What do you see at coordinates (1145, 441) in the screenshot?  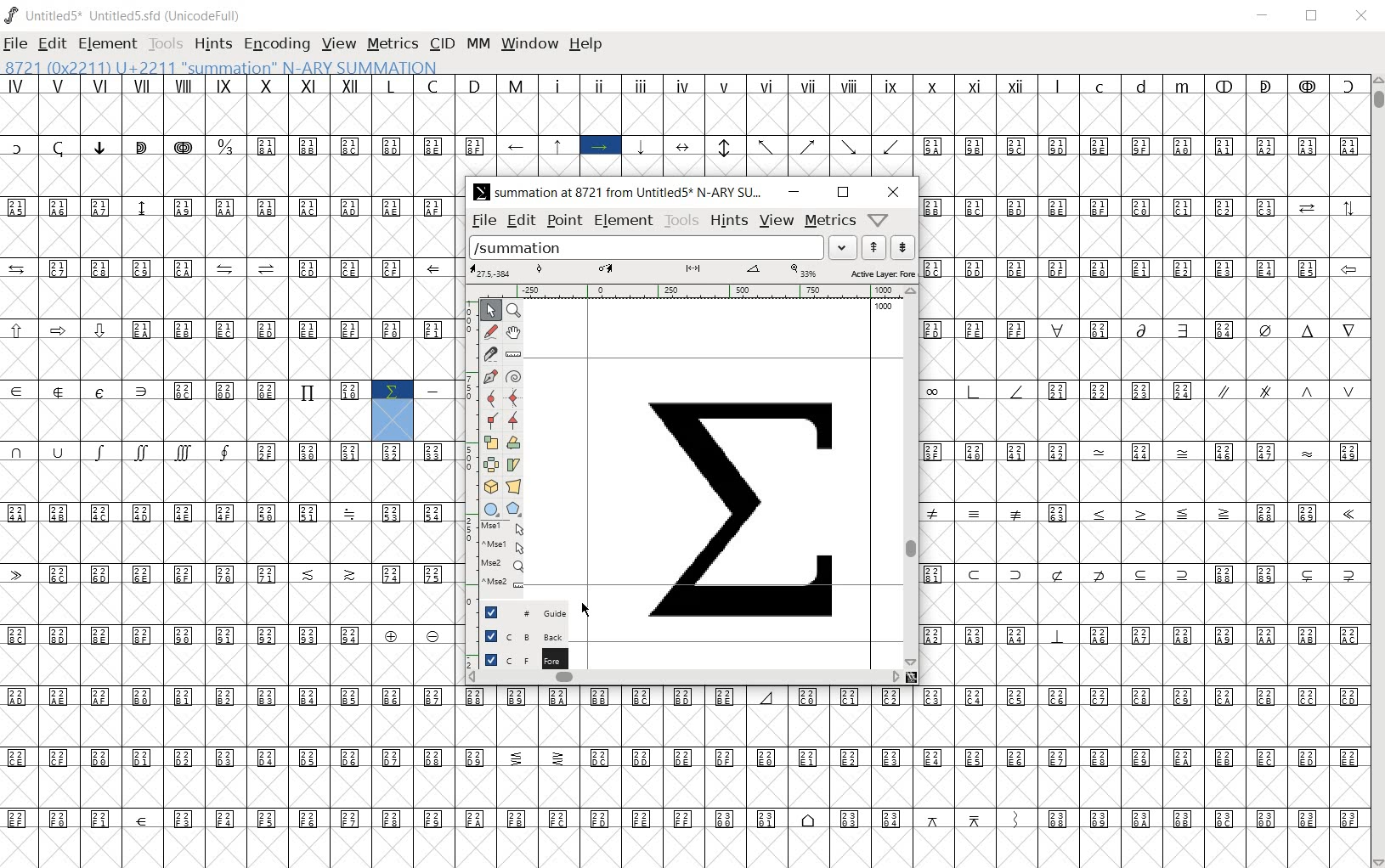 I see `glyph characters` at bounding box center [1145, 441].